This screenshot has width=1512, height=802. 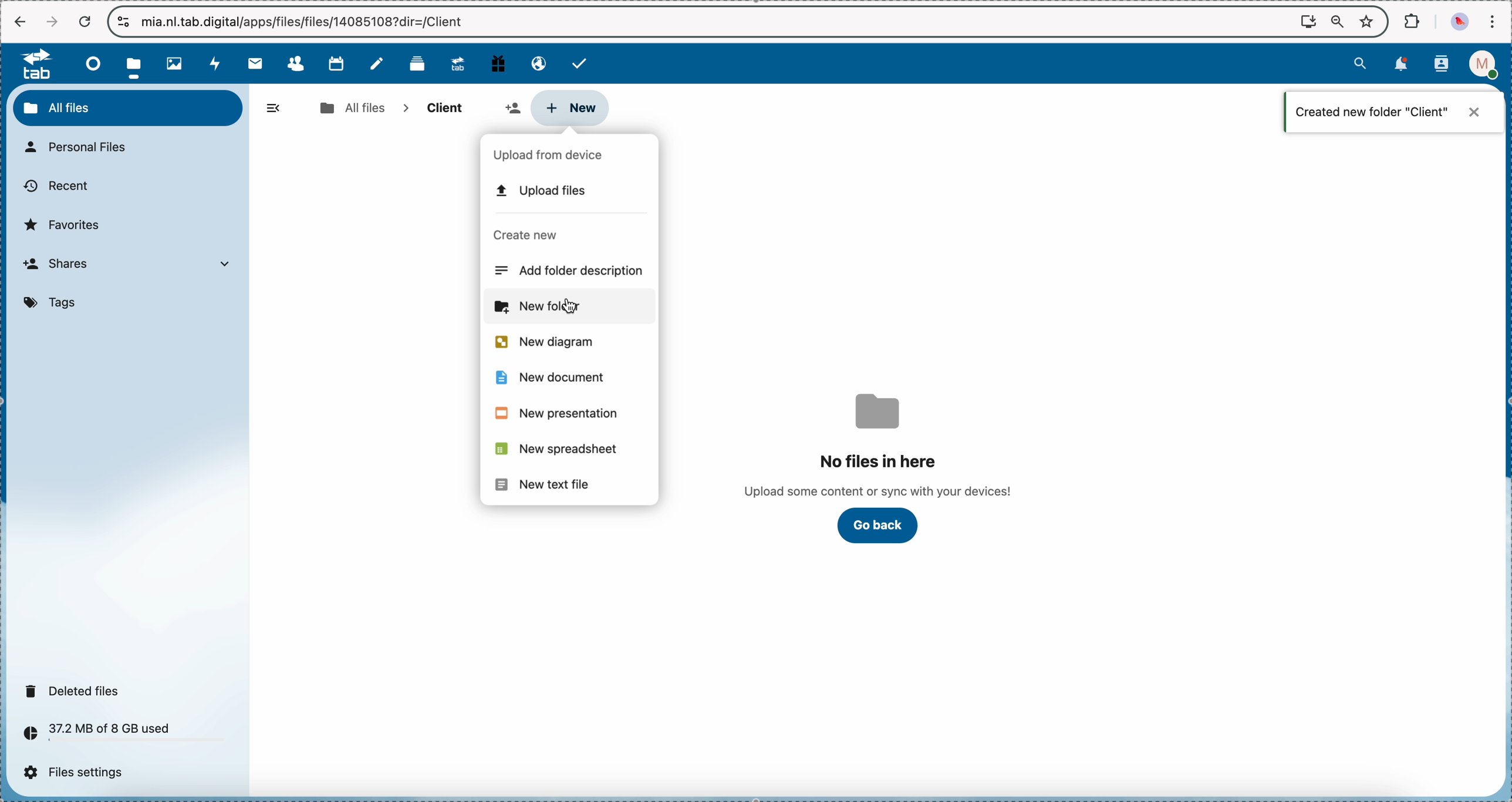 What do you see at coordinates (295, 64) in the screenshot?
I see `contacts` at bounding box center [295, 64].